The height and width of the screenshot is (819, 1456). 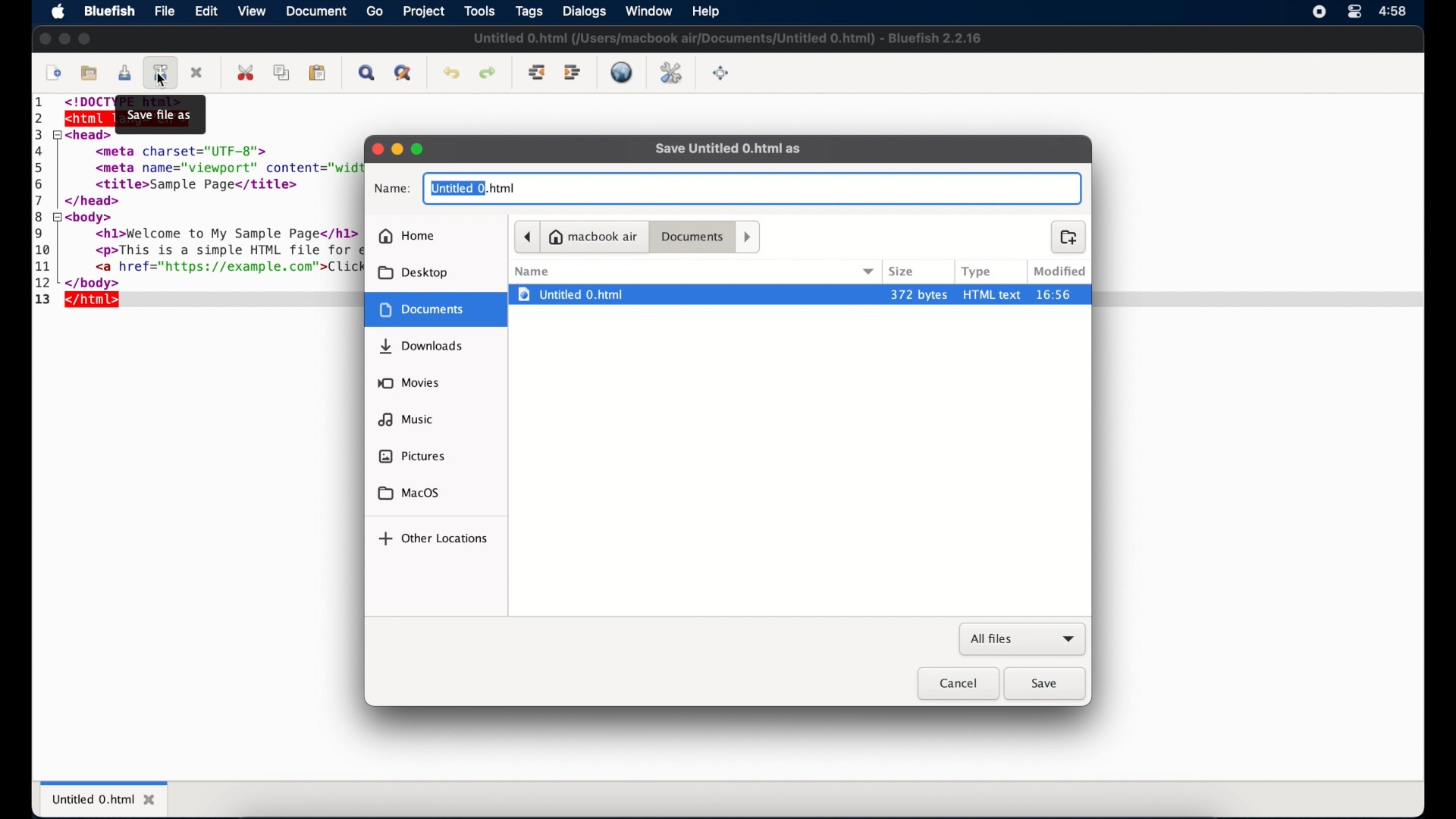 What do you see at coordinates (1319, 11) in the screenshot?
I see `screen recorder icon` at bounding box center [1319, 11].